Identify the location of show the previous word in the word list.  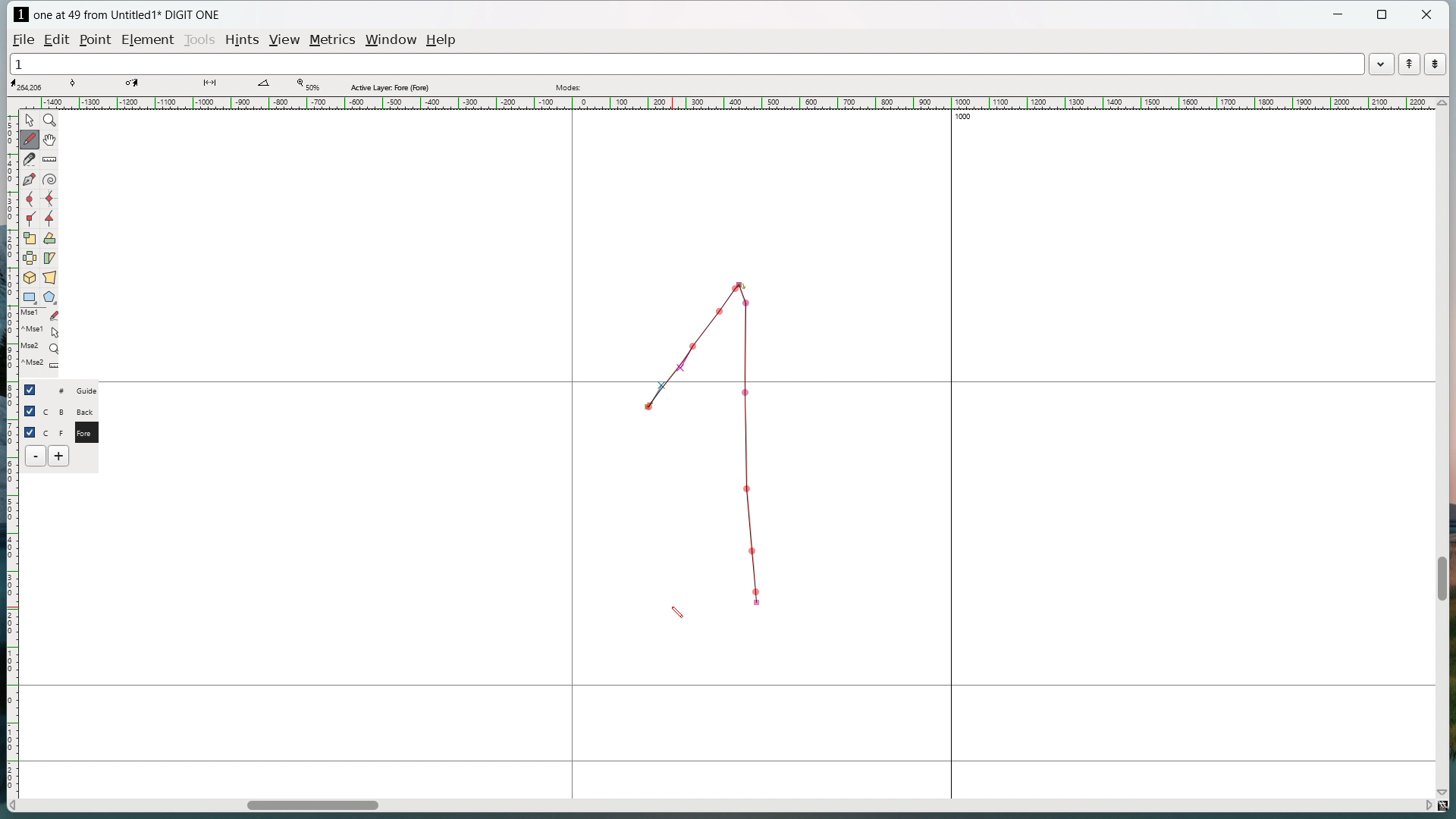
(1409, 64).